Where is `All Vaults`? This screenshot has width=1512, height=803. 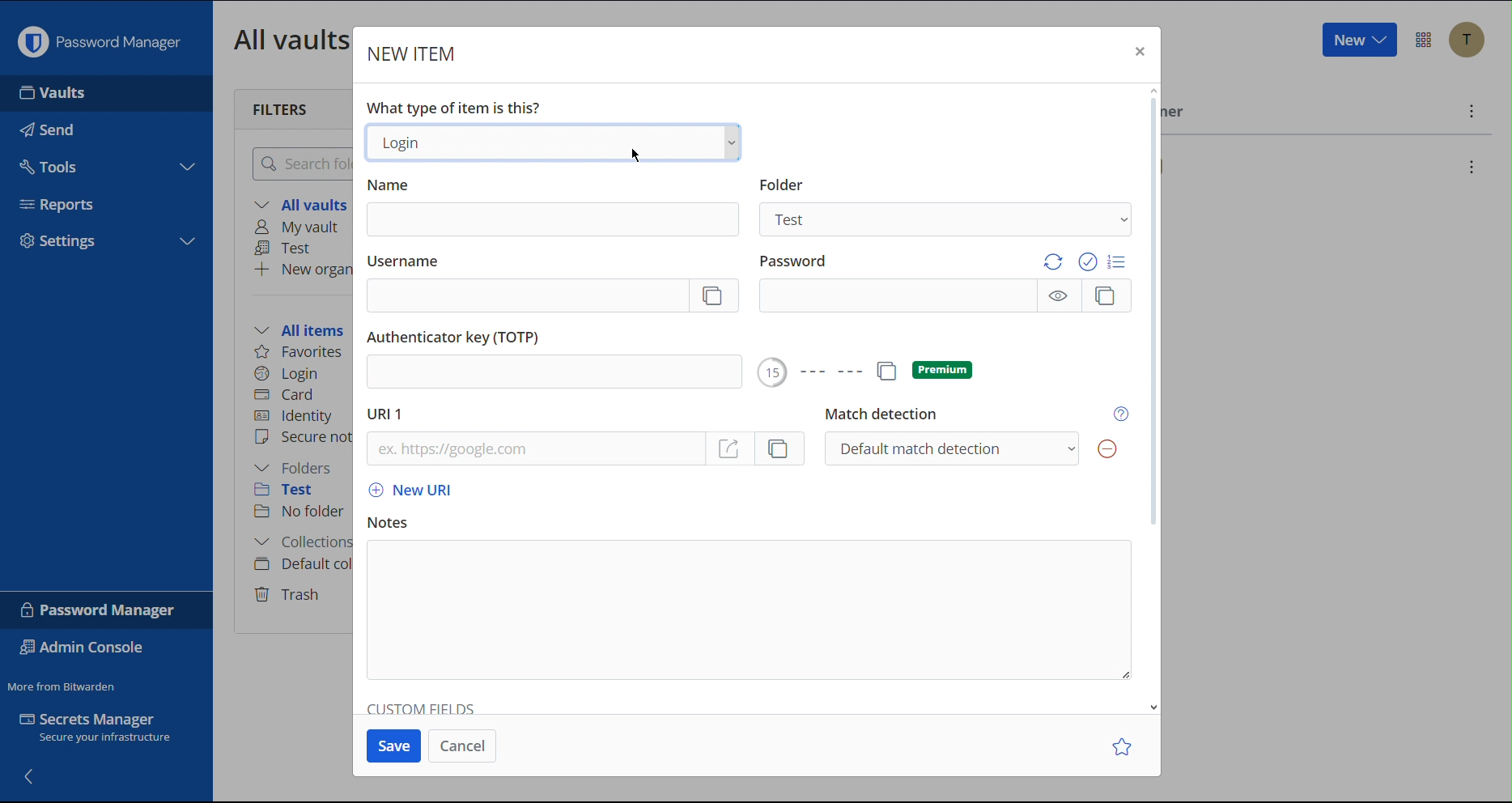
All Vaults is located at coordinates (287, 39).